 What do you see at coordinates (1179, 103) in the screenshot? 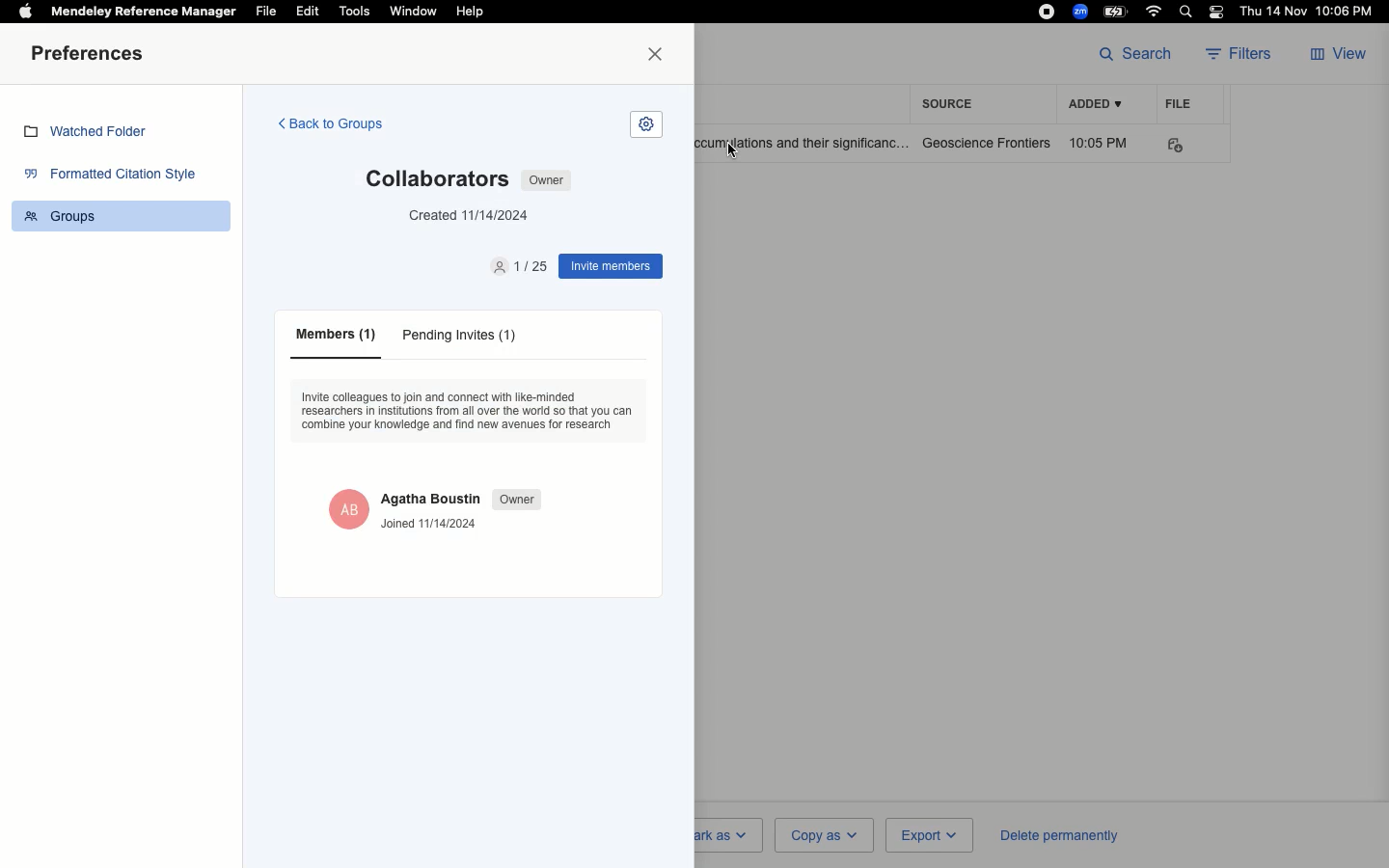
I see `File` at bounding box center [1179, 103].